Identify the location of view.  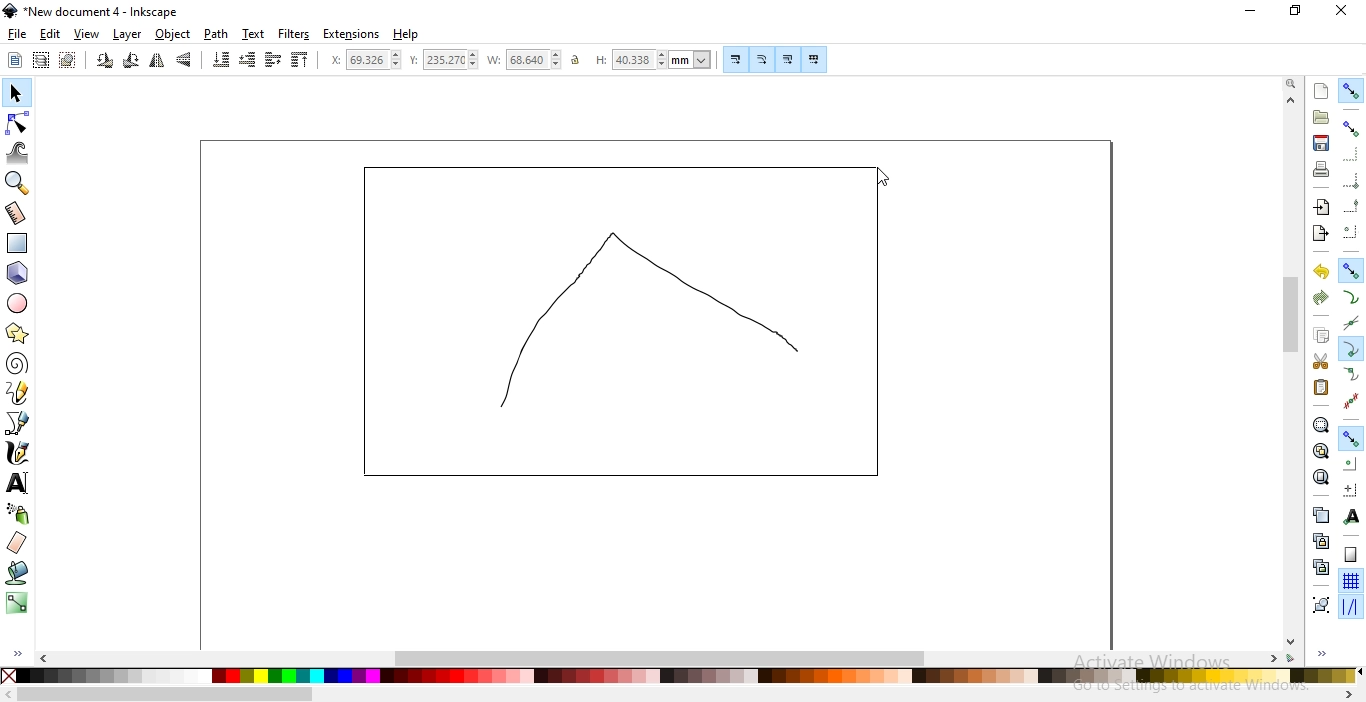
(87, 35).